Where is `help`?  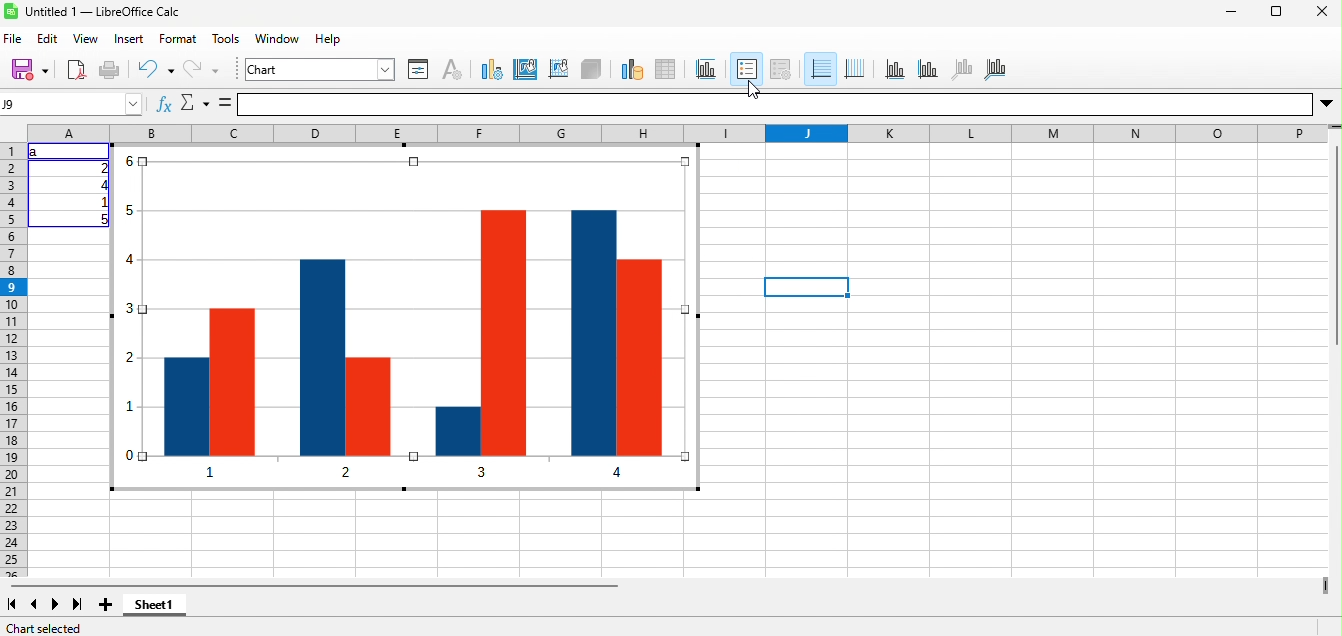 help is located at coordinates (329, 40).